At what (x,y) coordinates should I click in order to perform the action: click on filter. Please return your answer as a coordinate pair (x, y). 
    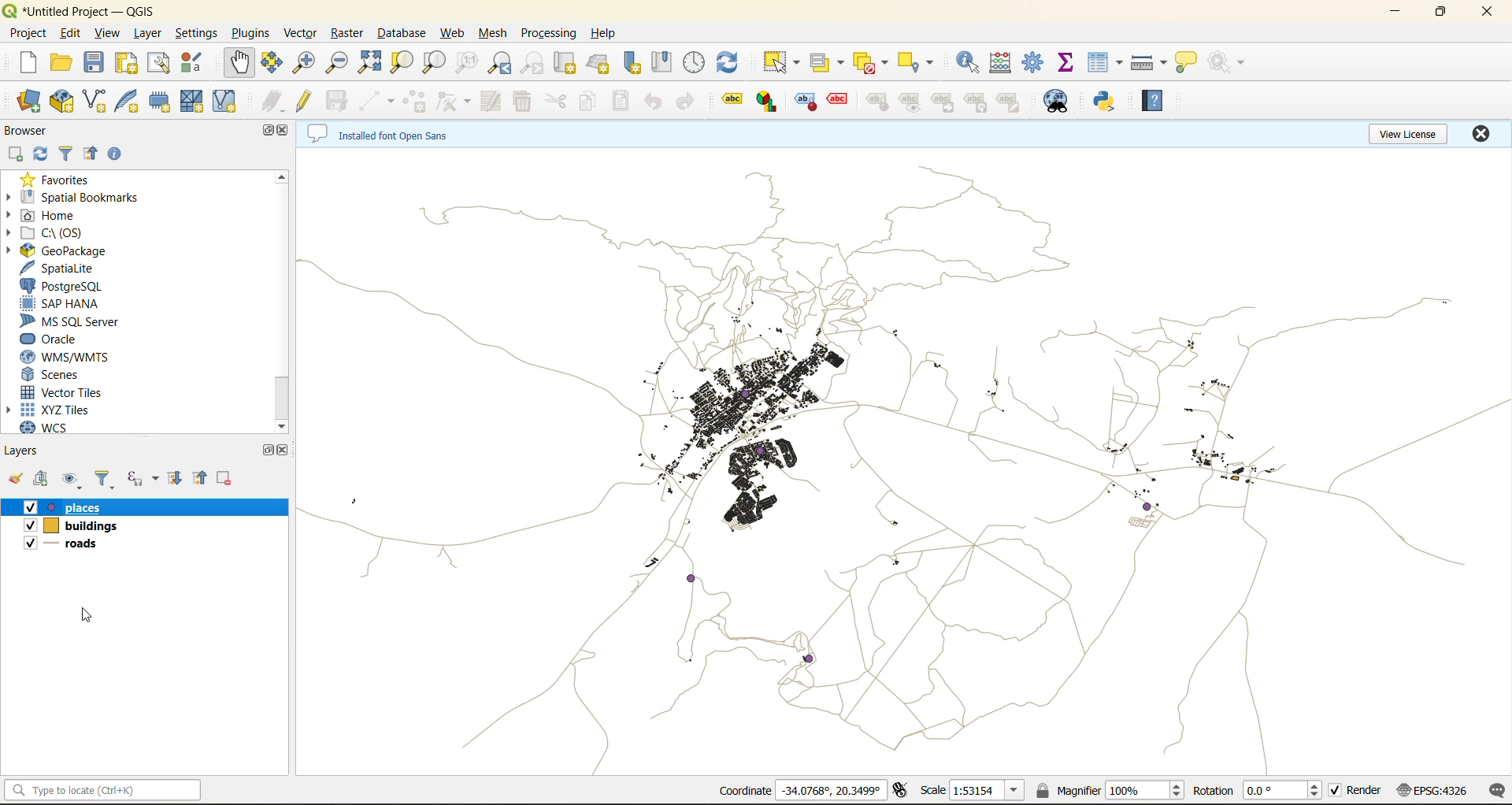
    Looking at the image, I should click on (105, 480).